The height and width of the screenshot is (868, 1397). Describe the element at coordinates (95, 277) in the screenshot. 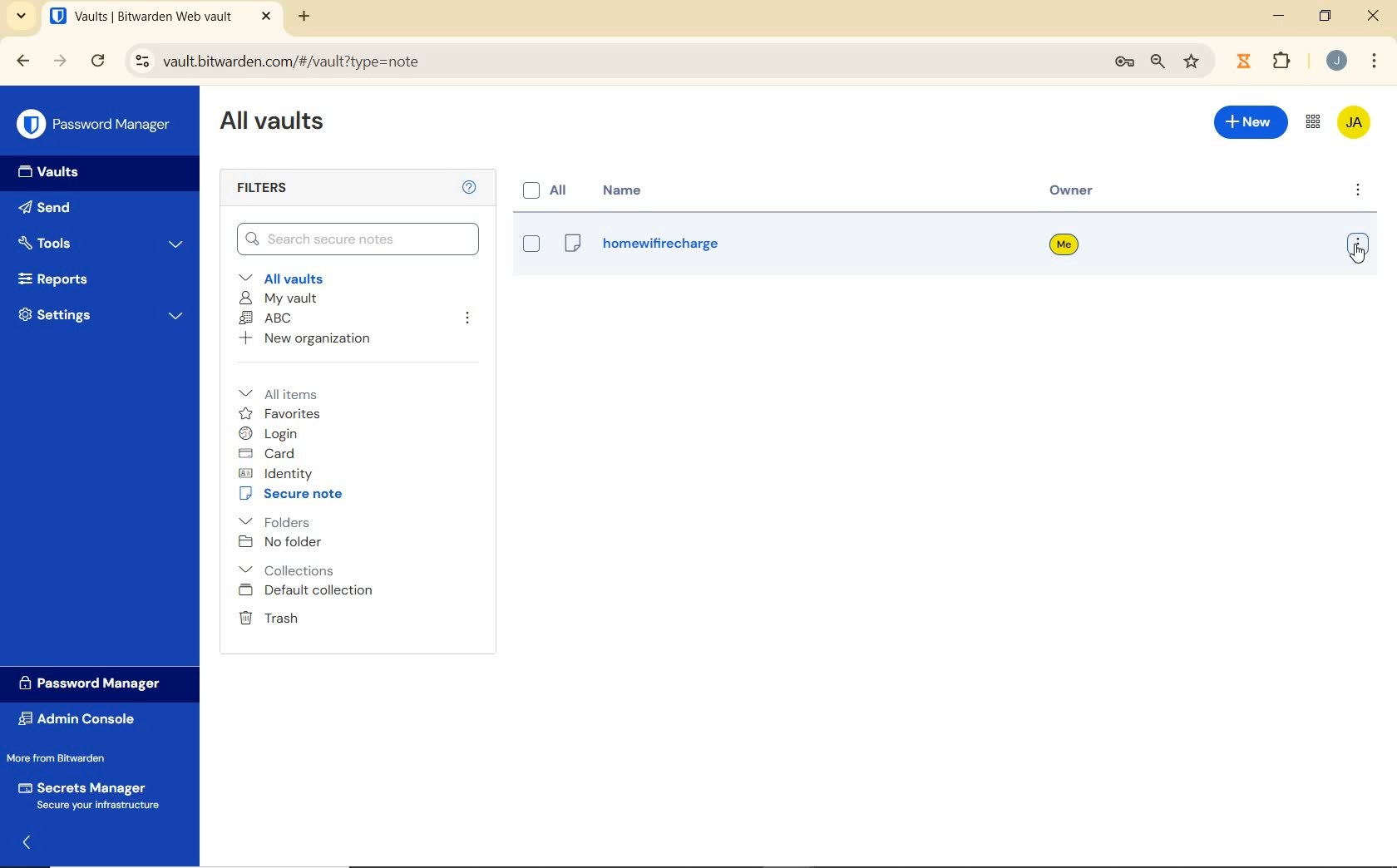

I see `Reports` at that location.